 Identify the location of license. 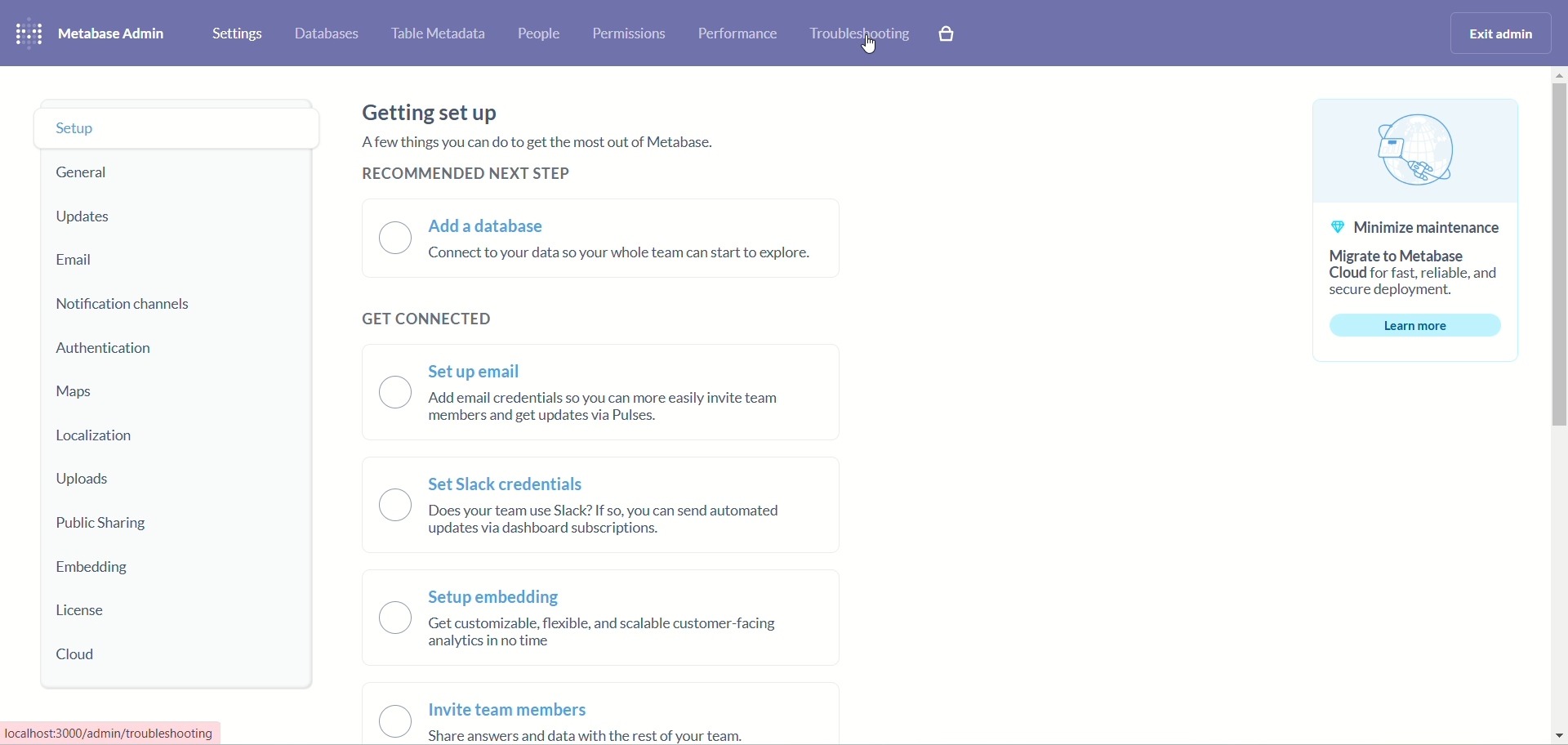
(82, 607).